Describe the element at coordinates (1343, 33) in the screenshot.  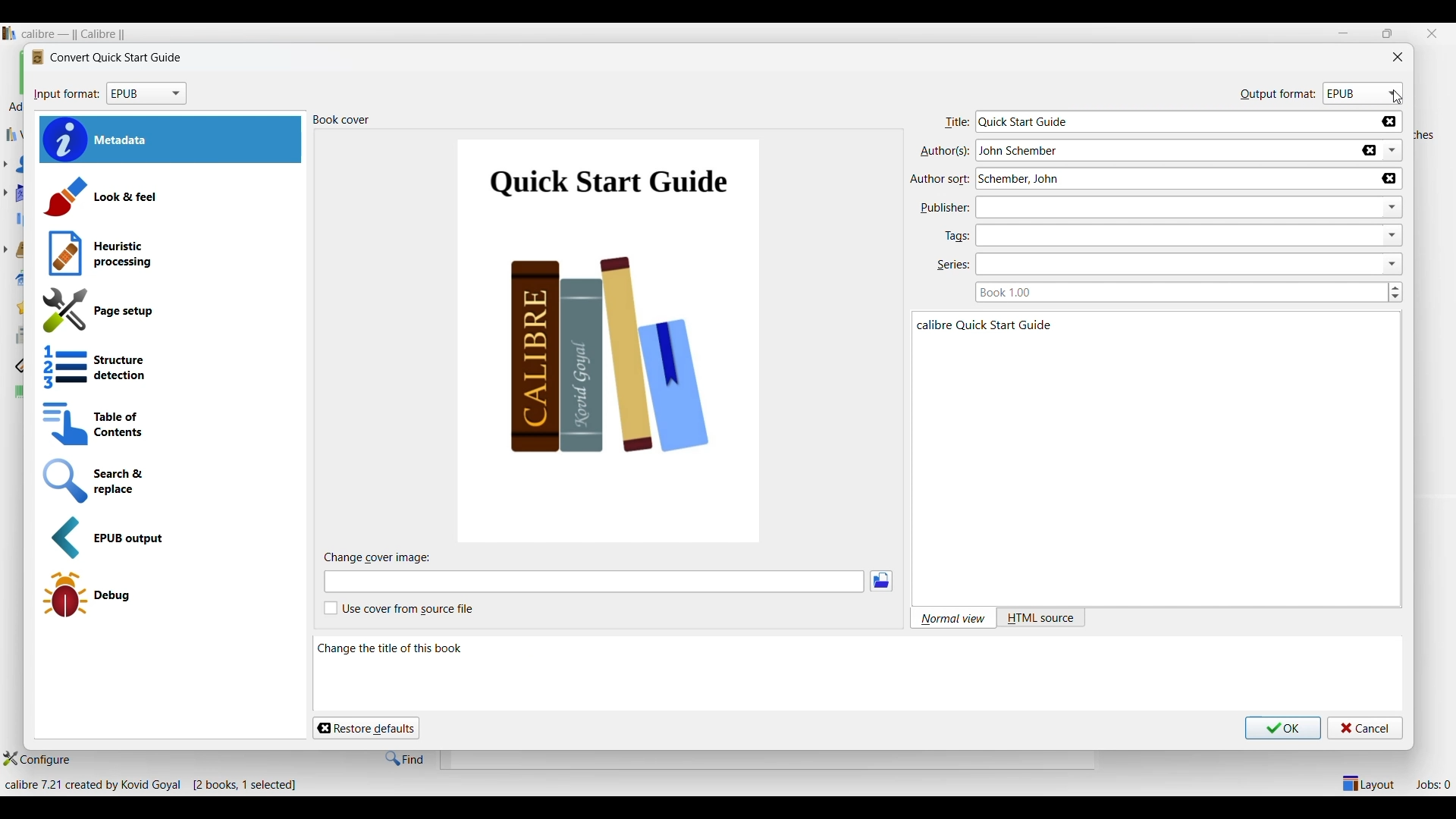
I see `Minimize` at that location.